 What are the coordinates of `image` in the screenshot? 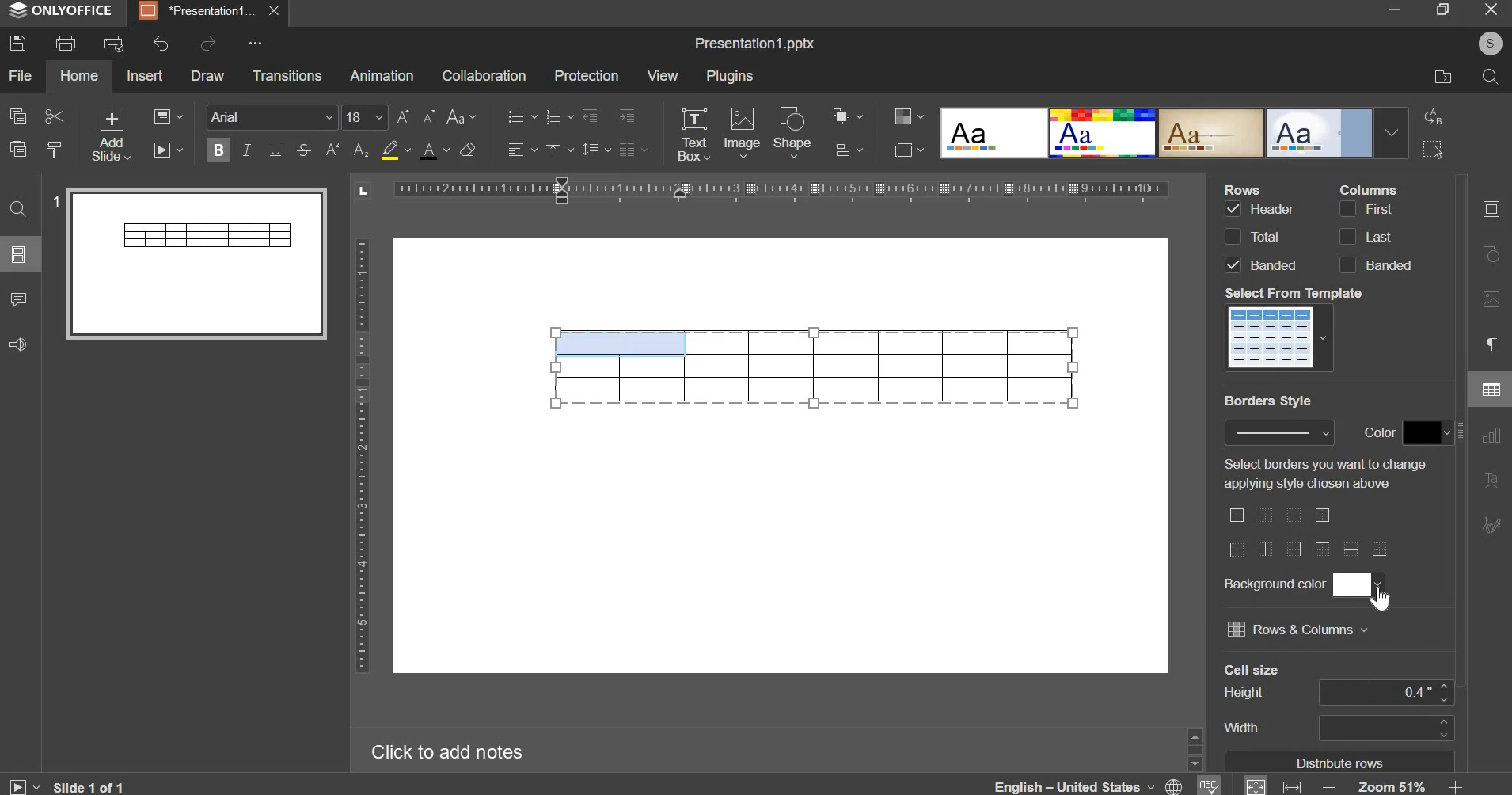 It's located at (742, 131).